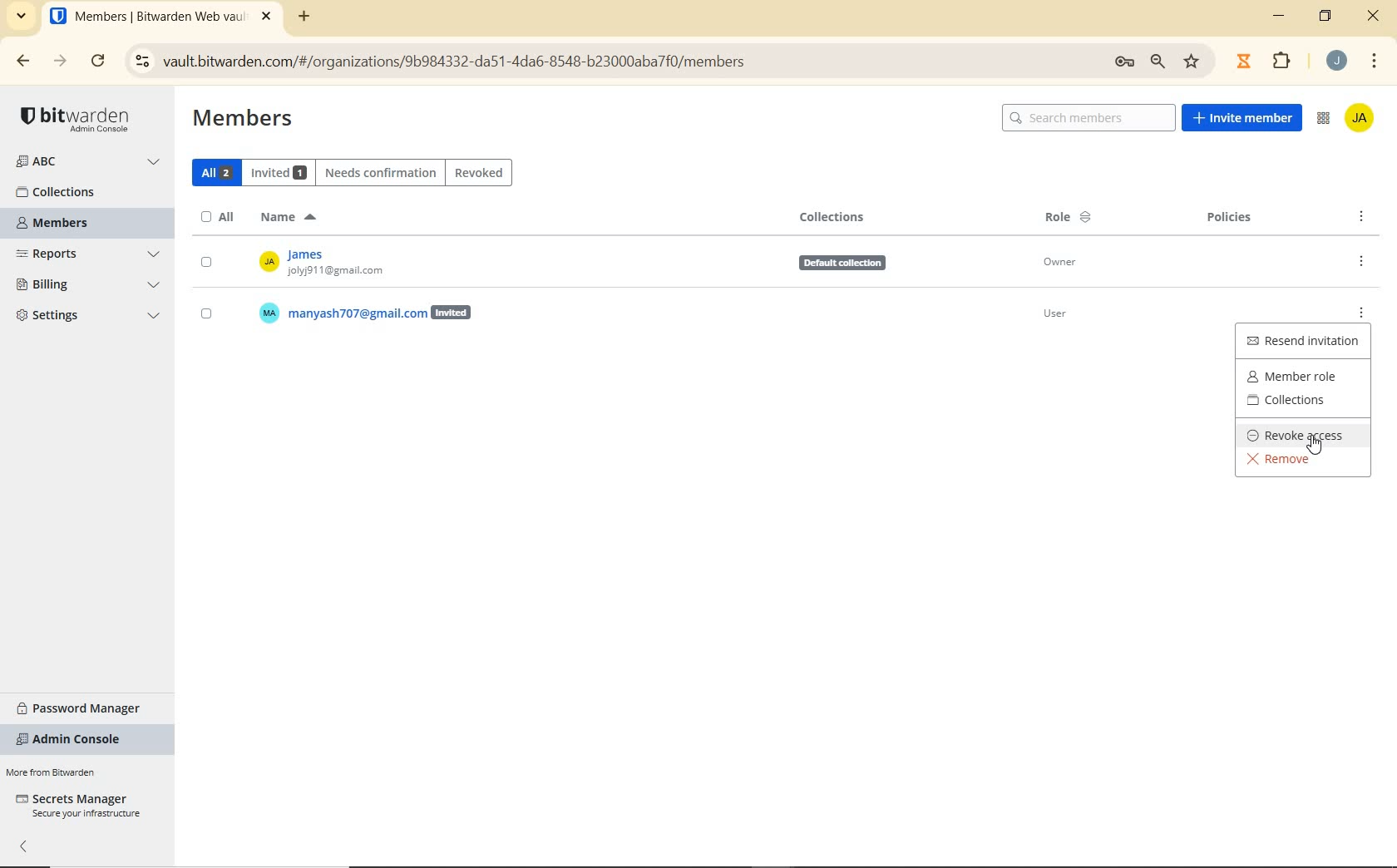  I want to click on ROLE, so click(1069, 219).